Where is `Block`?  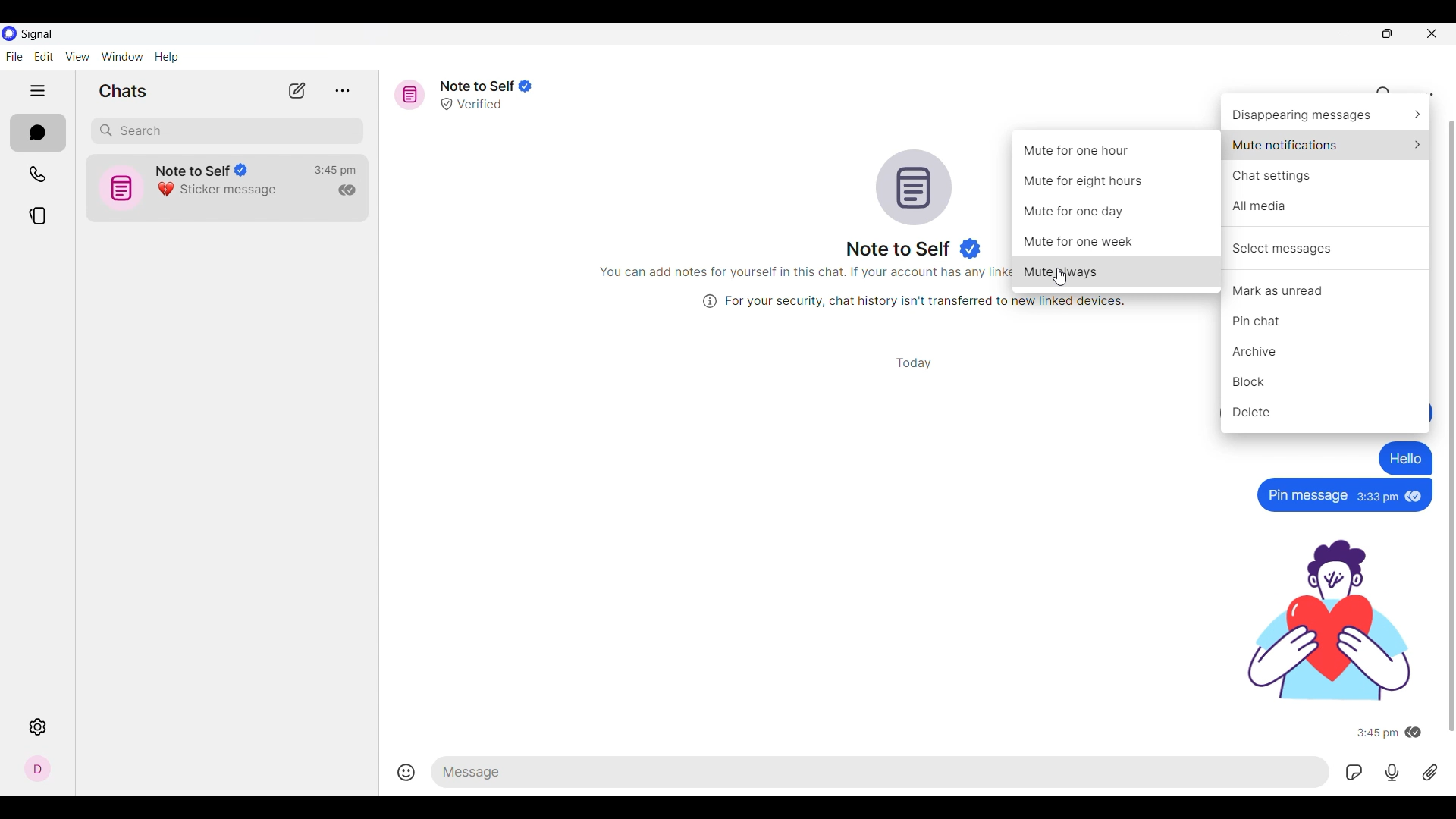
Block is located at coordinates (1326, 381).